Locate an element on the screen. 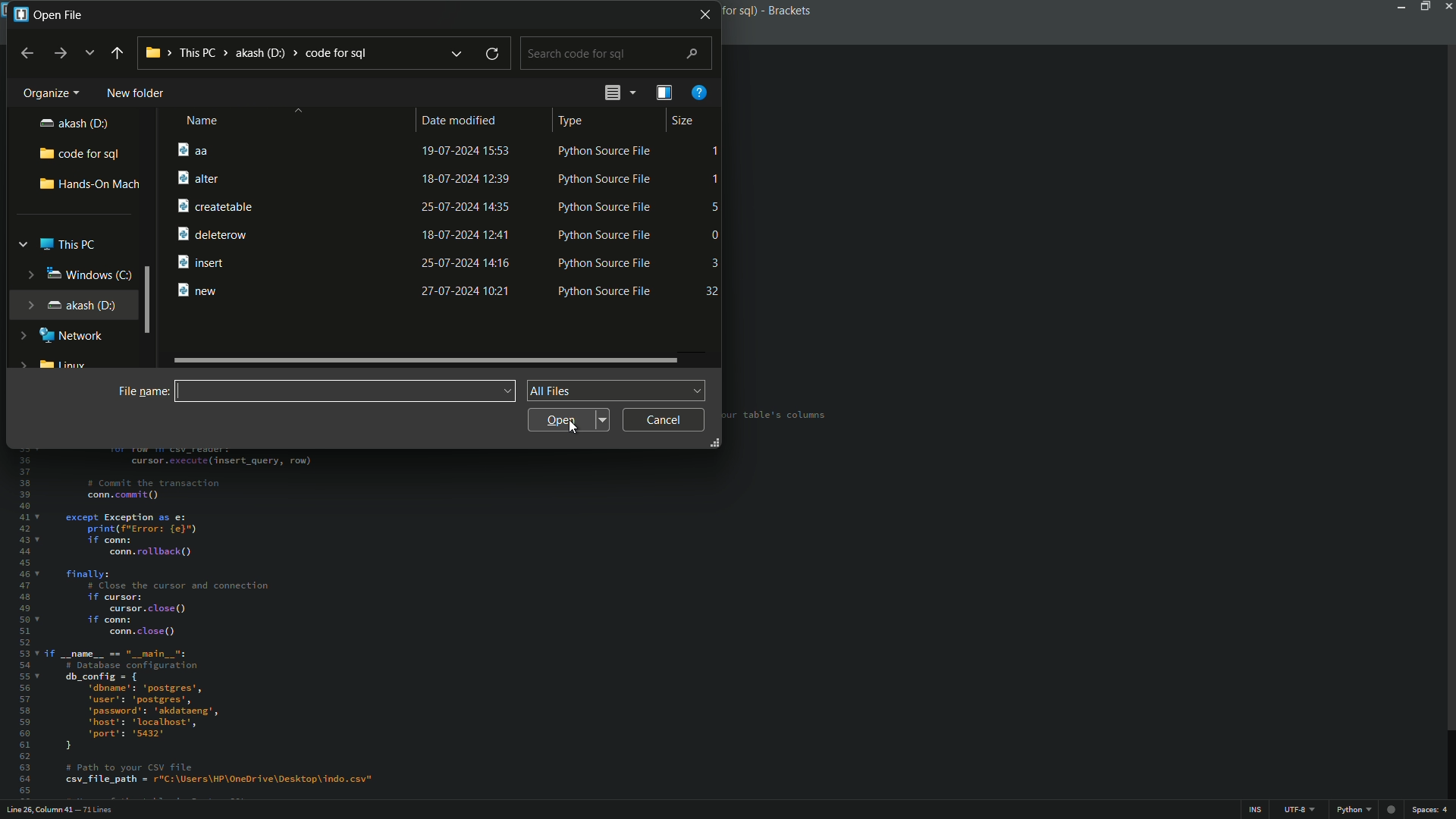 The width and height of the screenshot is (1456, 819). alter is located at coordinates (199, 177).